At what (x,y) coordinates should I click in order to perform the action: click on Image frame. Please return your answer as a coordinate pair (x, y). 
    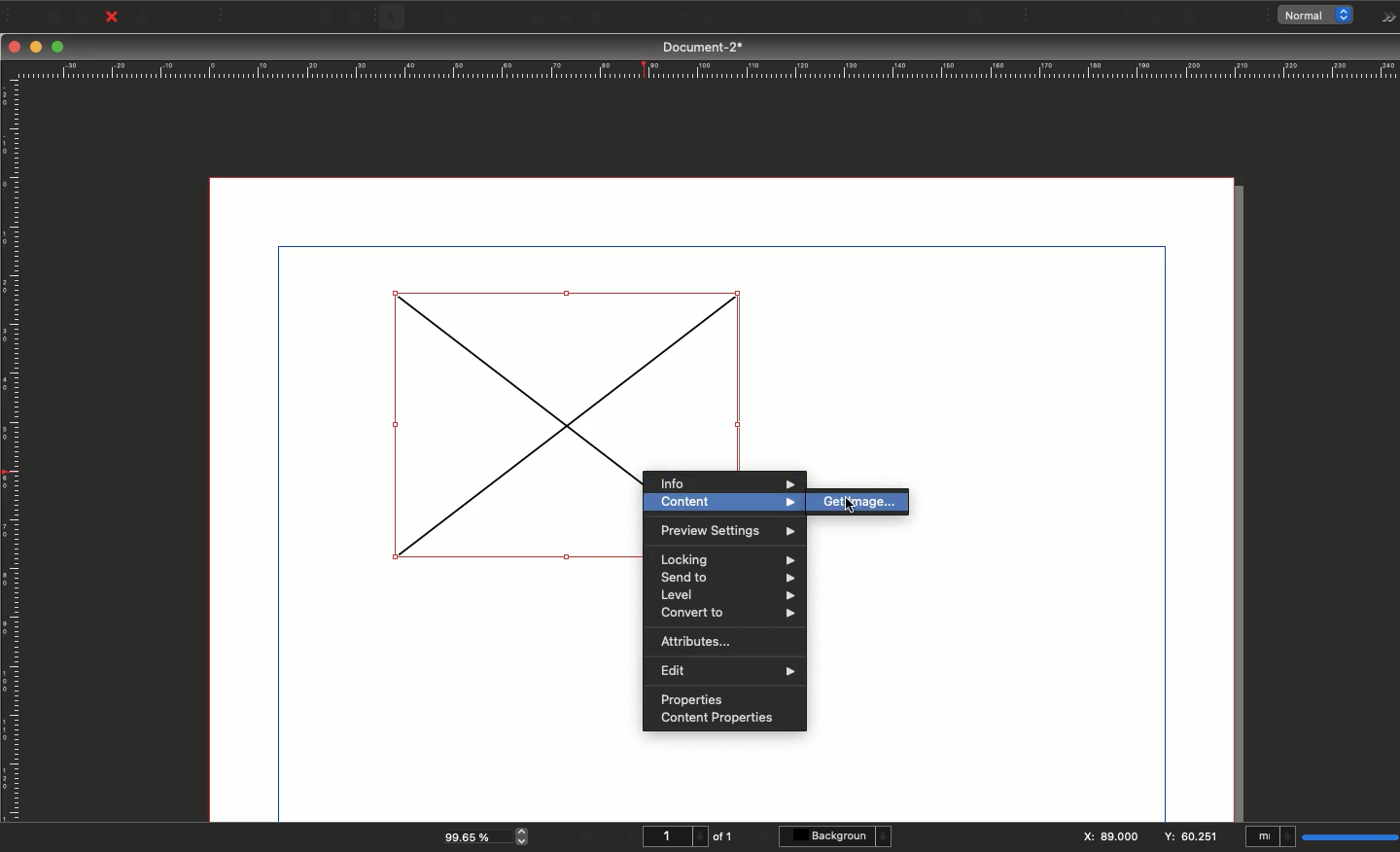
    Looking at the image, I should click on (453, 19).